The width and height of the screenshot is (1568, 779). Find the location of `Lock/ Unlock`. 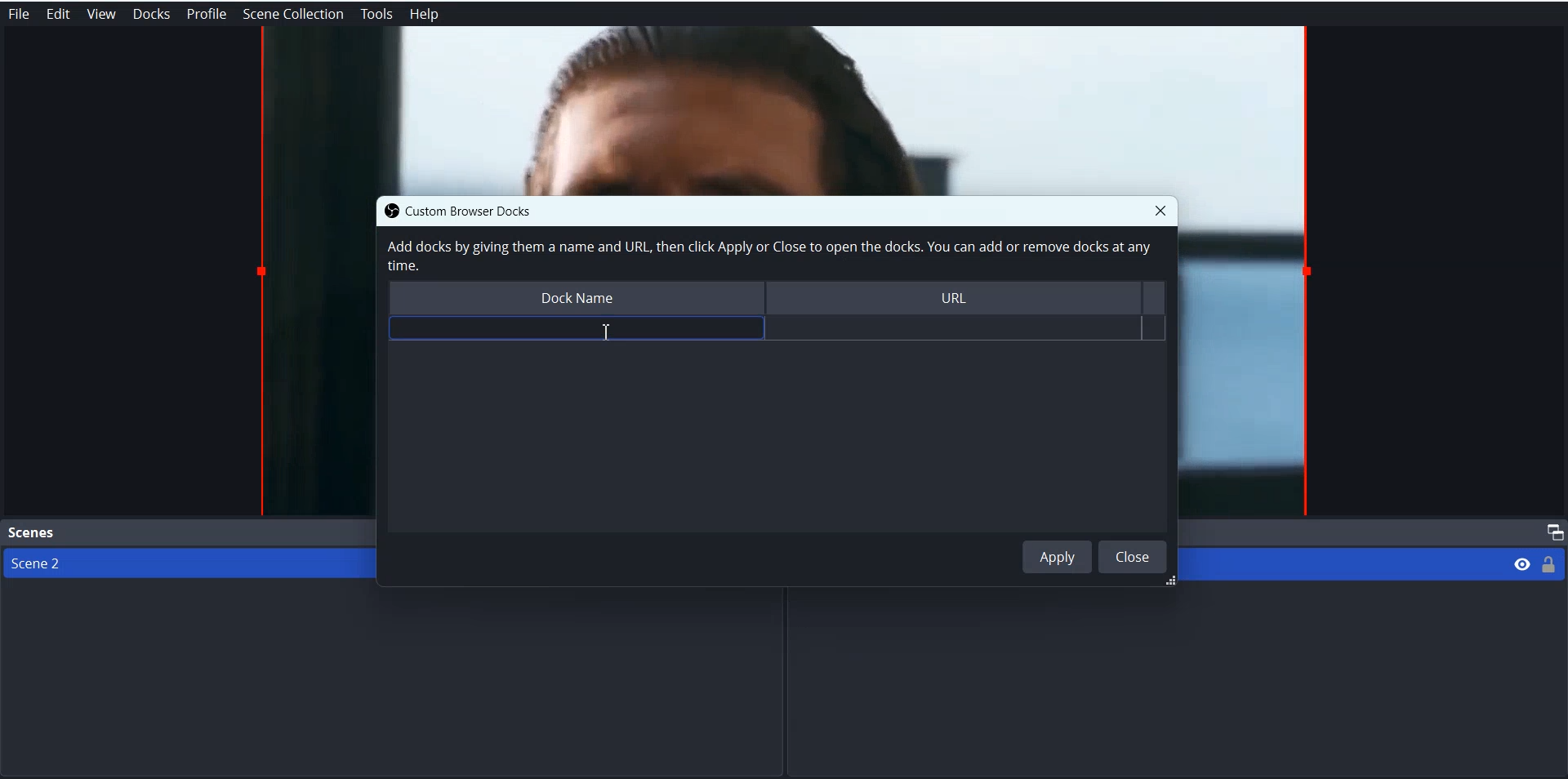

Lock/ Unlock is located at coordinates (1549, 563).